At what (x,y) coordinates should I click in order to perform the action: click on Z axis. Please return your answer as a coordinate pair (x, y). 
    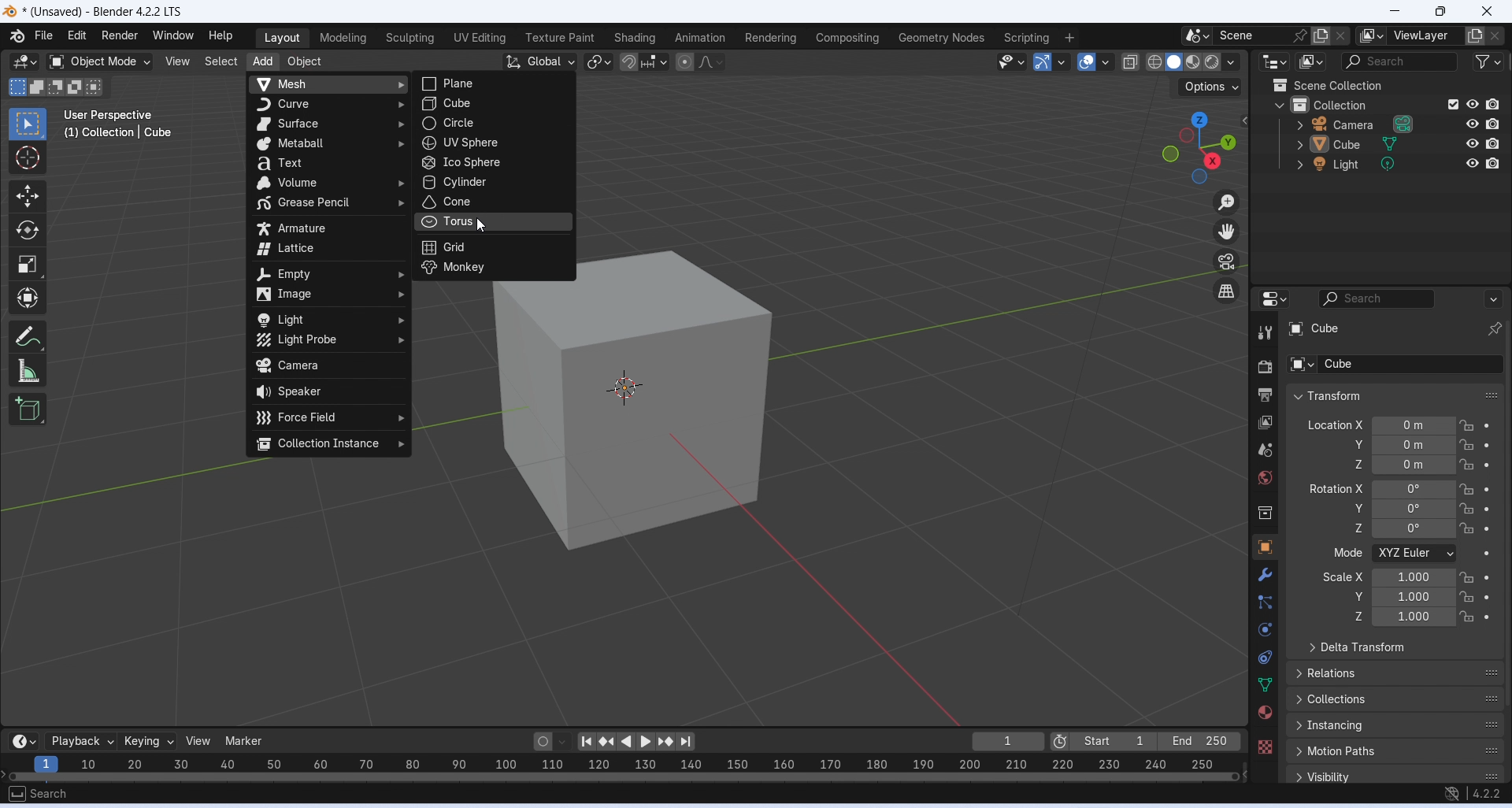
    Looking at the image, I should click on (1433, 465).